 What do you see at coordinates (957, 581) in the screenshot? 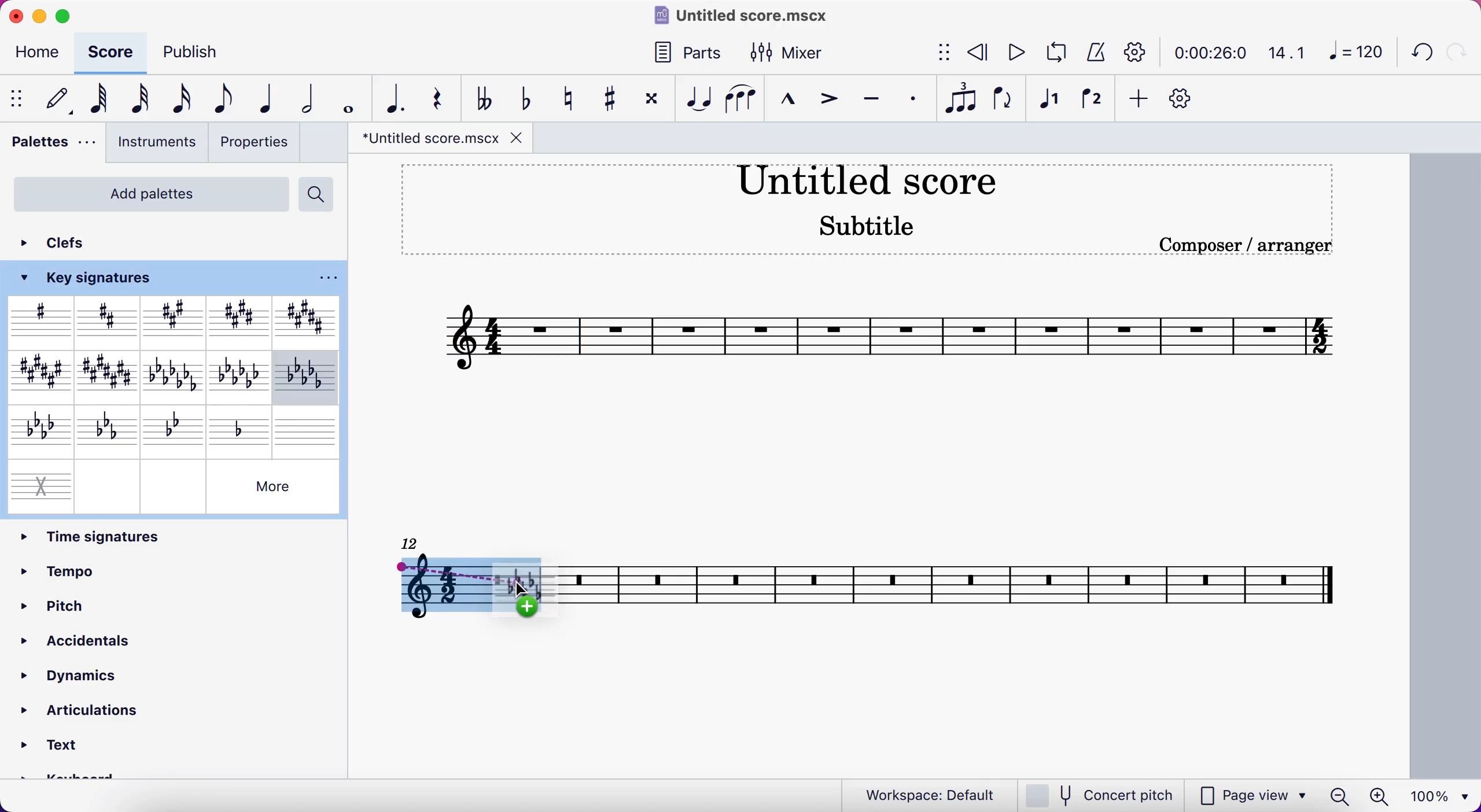
I see `score` at bounding box center [957, 581].